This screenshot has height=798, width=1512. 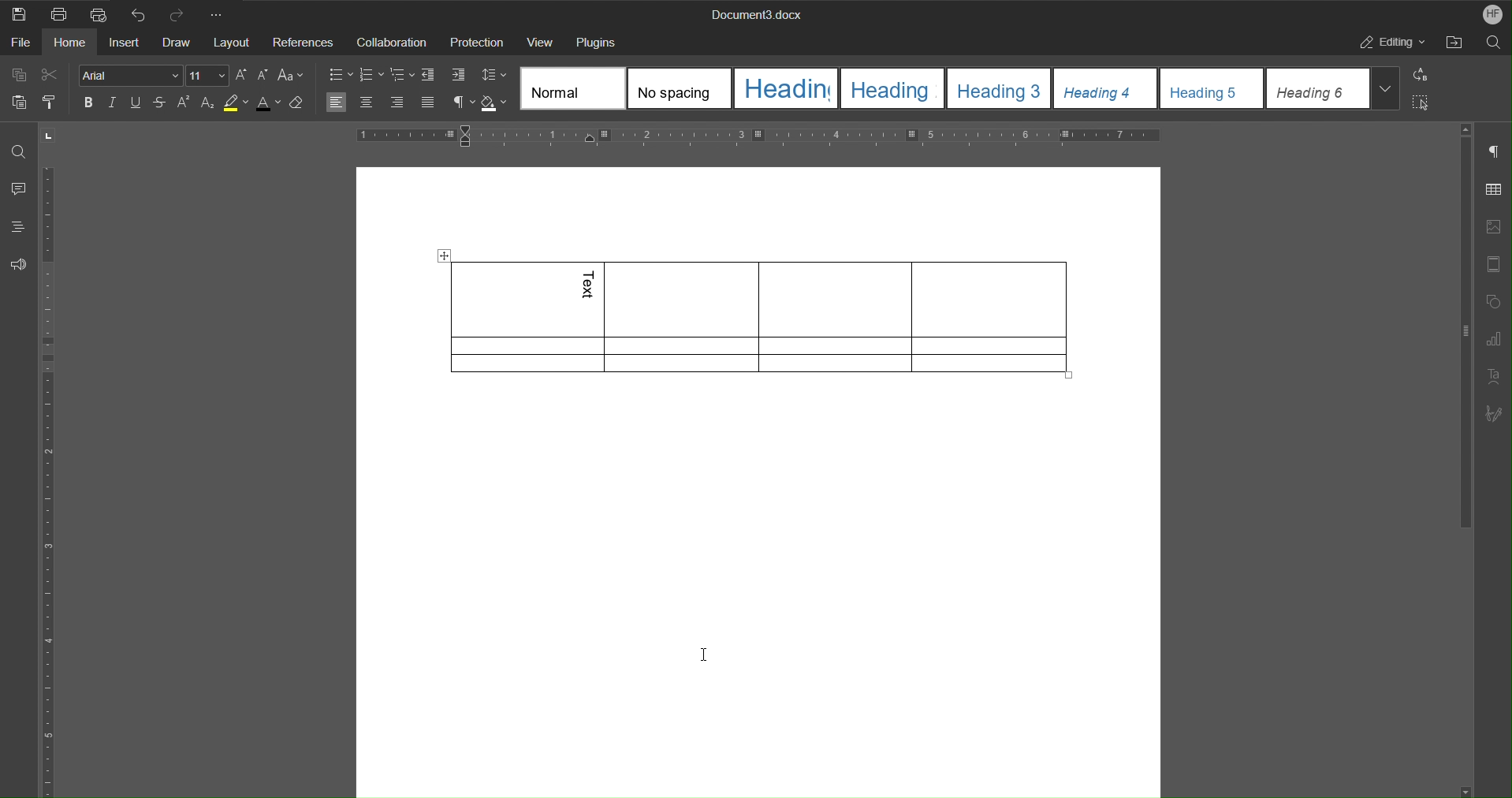 I want to click on Insert, so click(x=124, y=42).